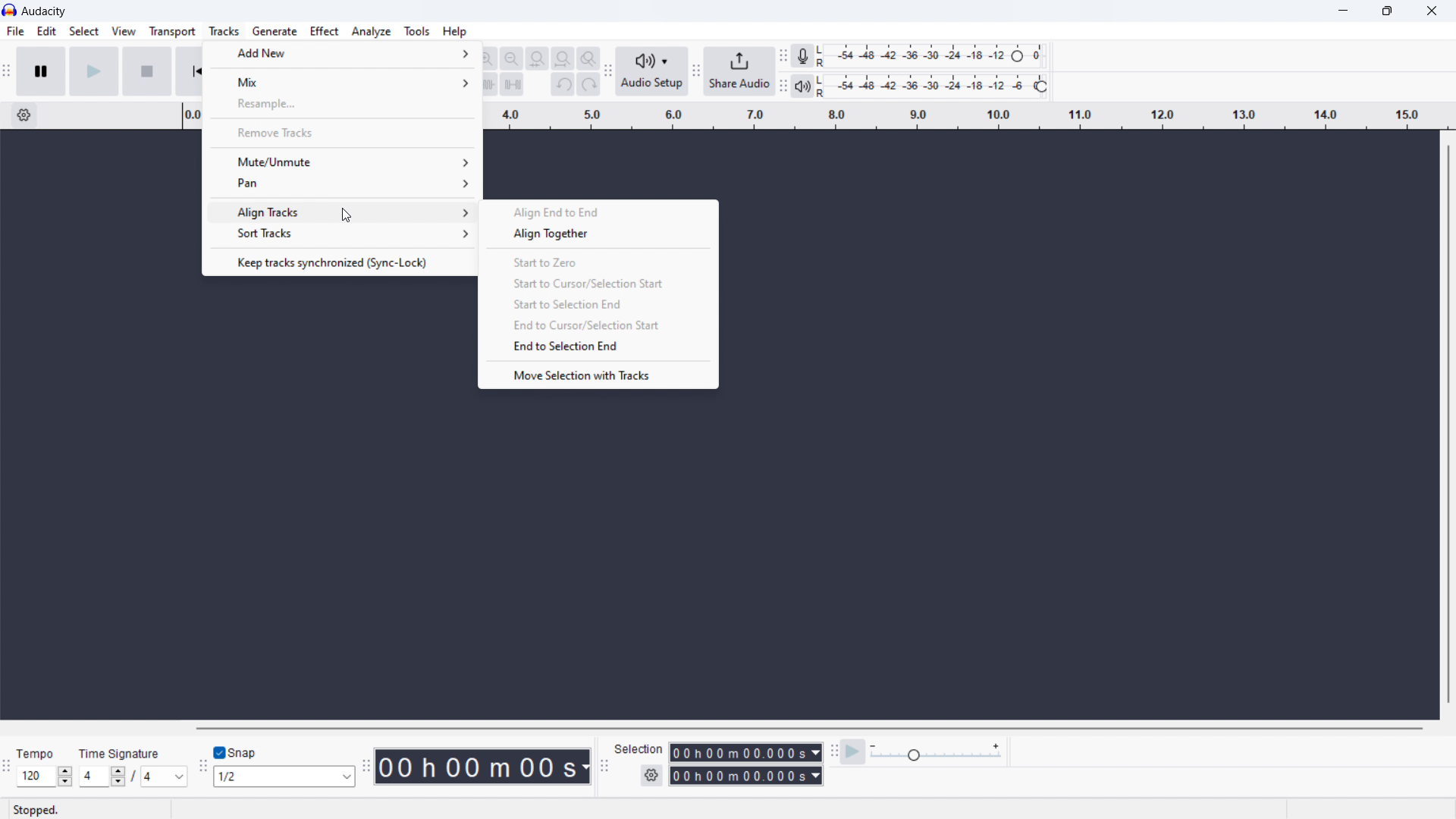  What do you see at coordinates (45, 777) in the screenshot?
I see `adjust tempo` at bounding box center [45, 777].